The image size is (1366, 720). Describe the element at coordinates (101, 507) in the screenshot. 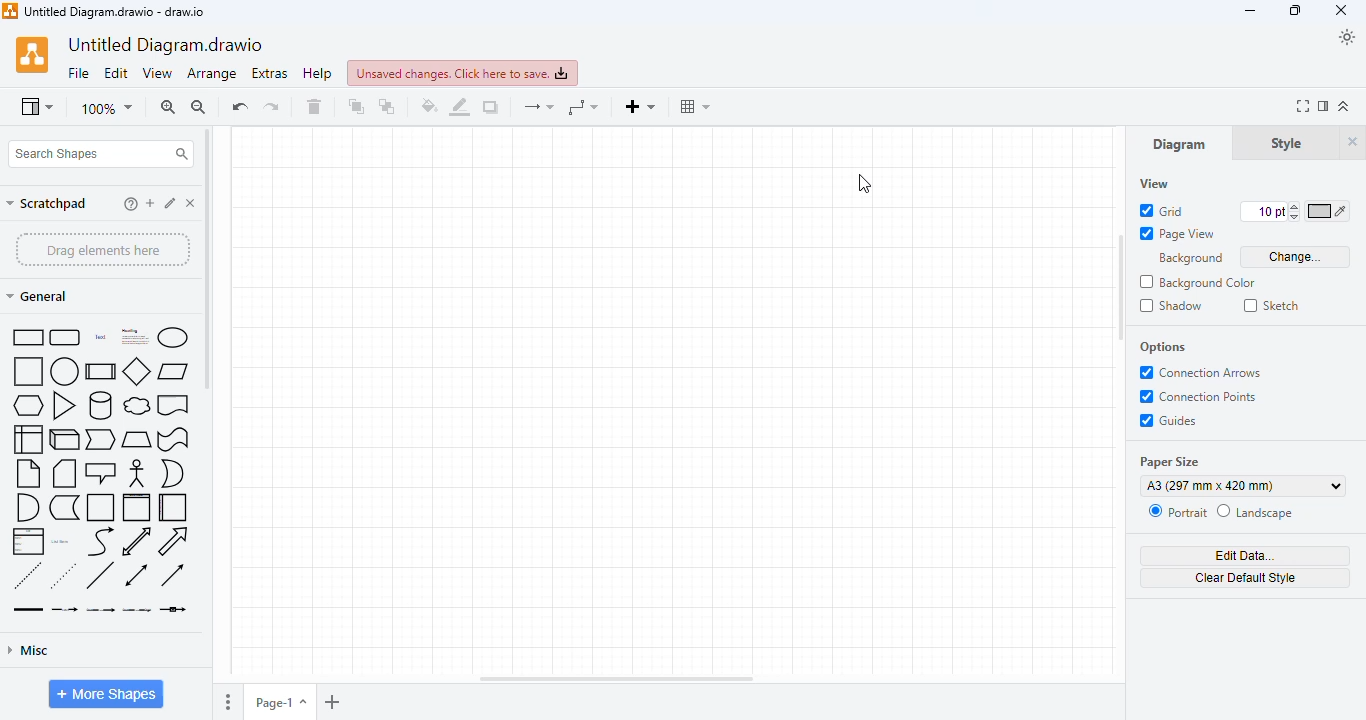

I see `container` at that location.